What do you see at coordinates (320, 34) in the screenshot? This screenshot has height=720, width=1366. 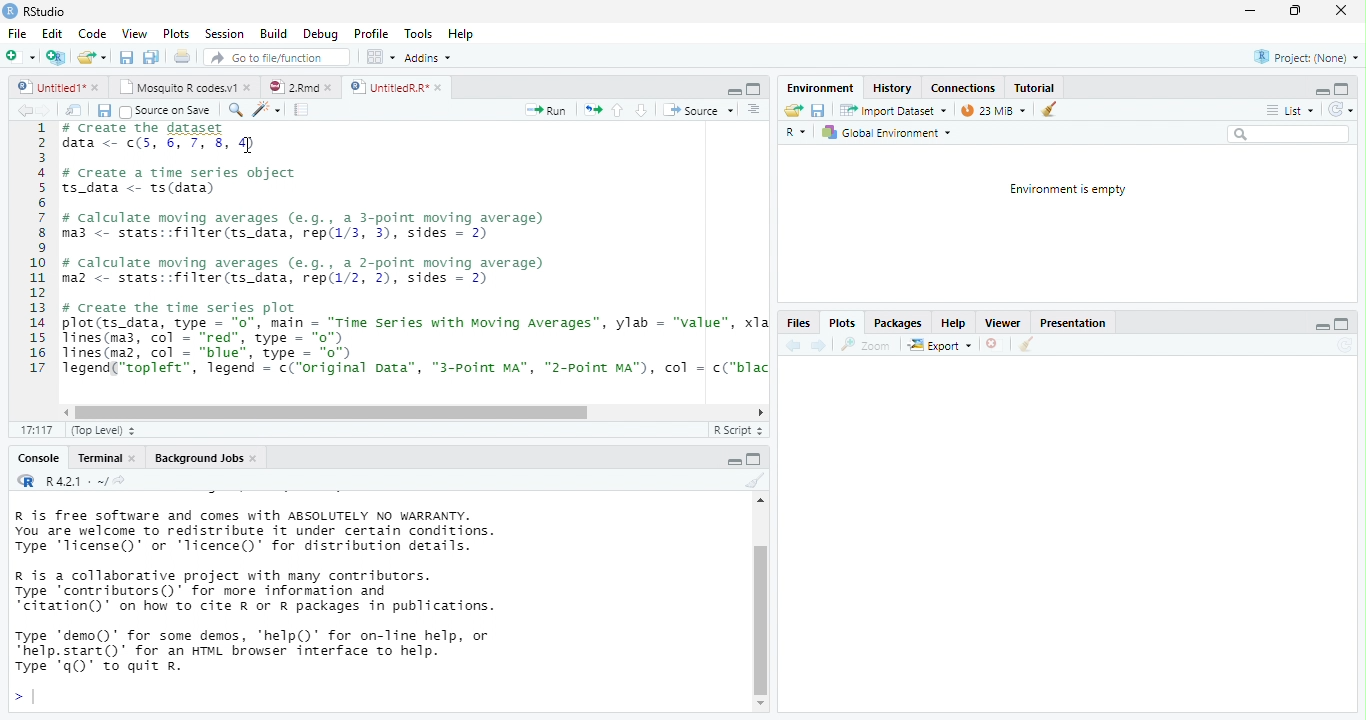 I see `Debug` at bounding box center [320, 34].